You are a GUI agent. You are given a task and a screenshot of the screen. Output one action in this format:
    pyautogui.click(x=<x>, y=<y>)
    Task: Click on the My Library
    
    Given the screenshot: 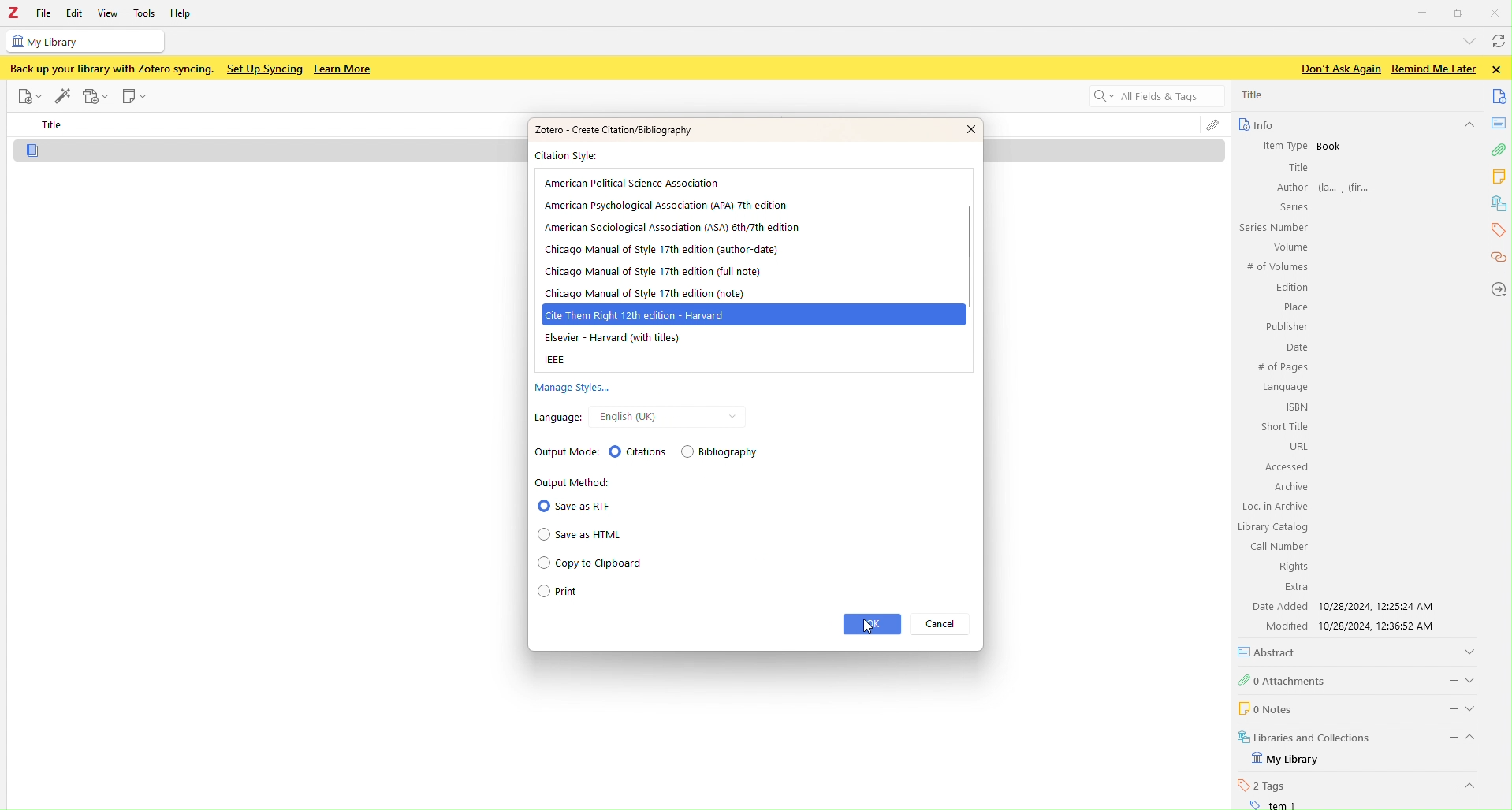 What is the action you would take?
    pyautogui.click(x=1287, y=760)
    